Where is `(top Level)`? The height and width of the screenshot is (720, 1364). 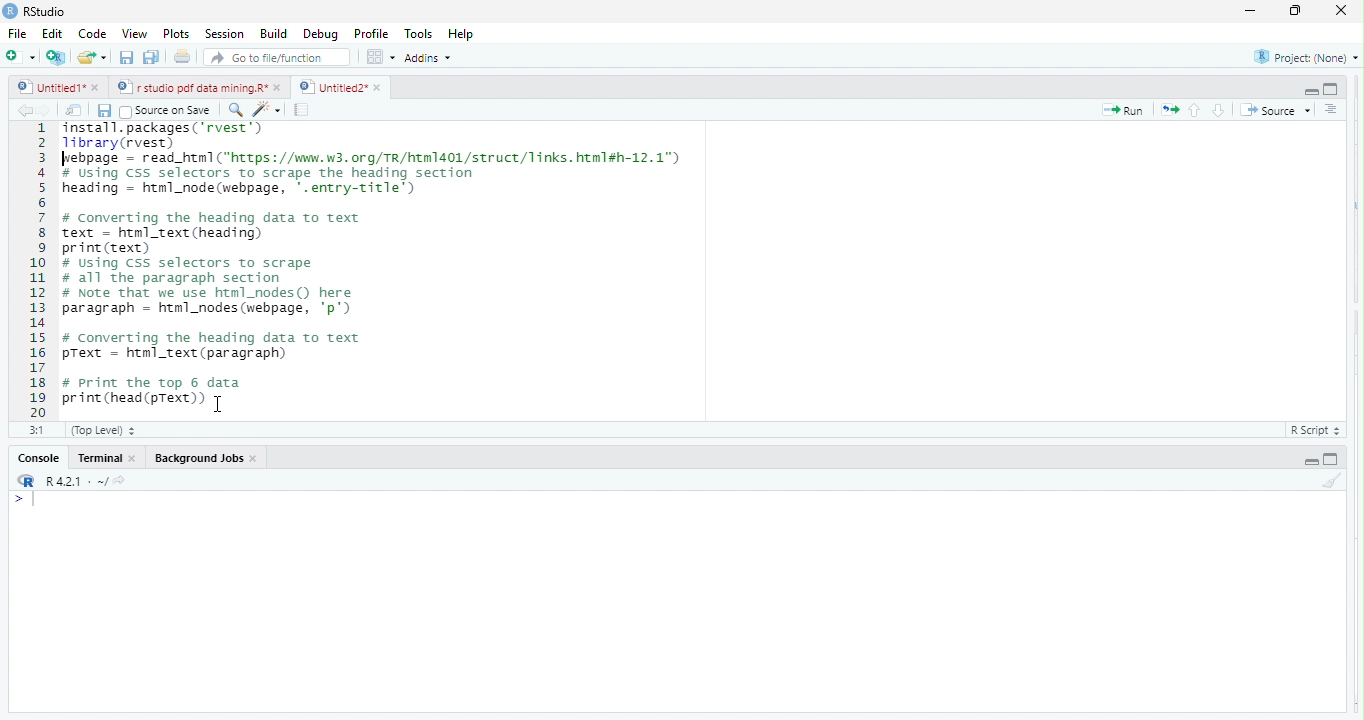 (top Level) is located at coordinates (104, 430).